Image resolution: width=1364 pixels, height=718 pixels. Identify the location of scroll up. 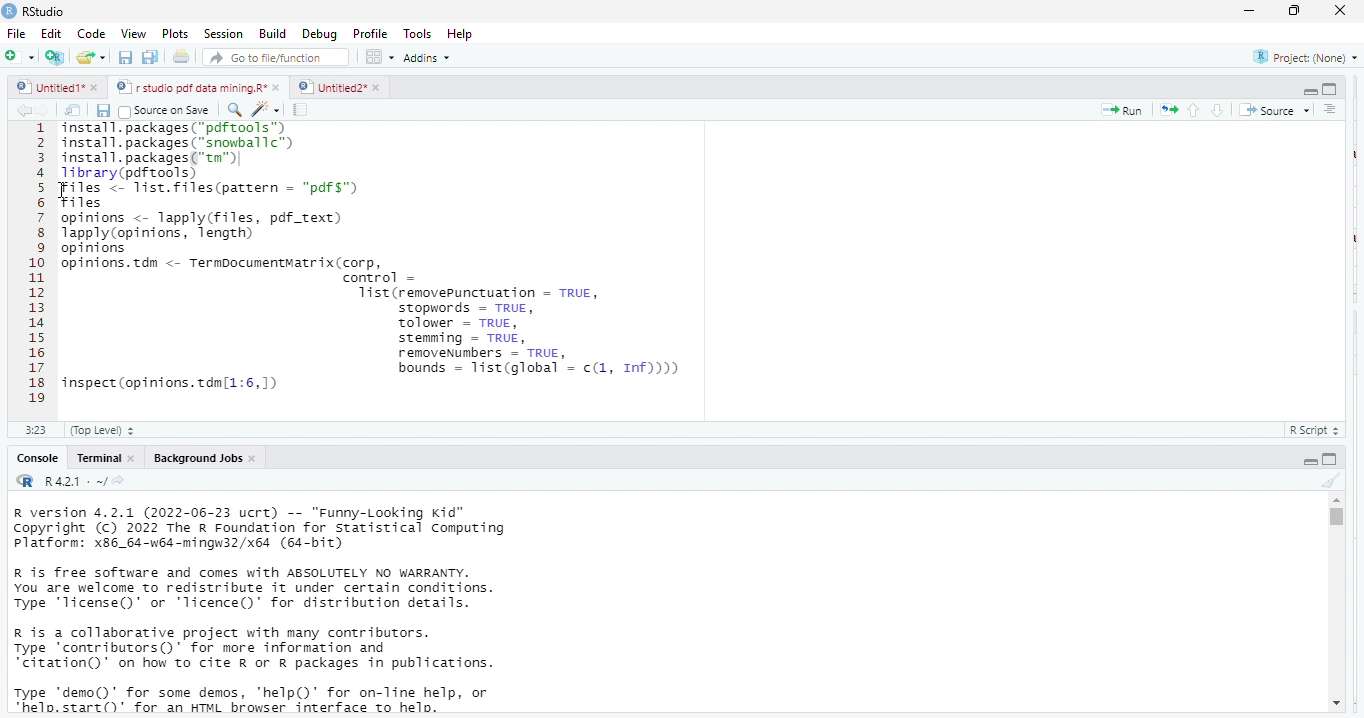
(1336, 500).